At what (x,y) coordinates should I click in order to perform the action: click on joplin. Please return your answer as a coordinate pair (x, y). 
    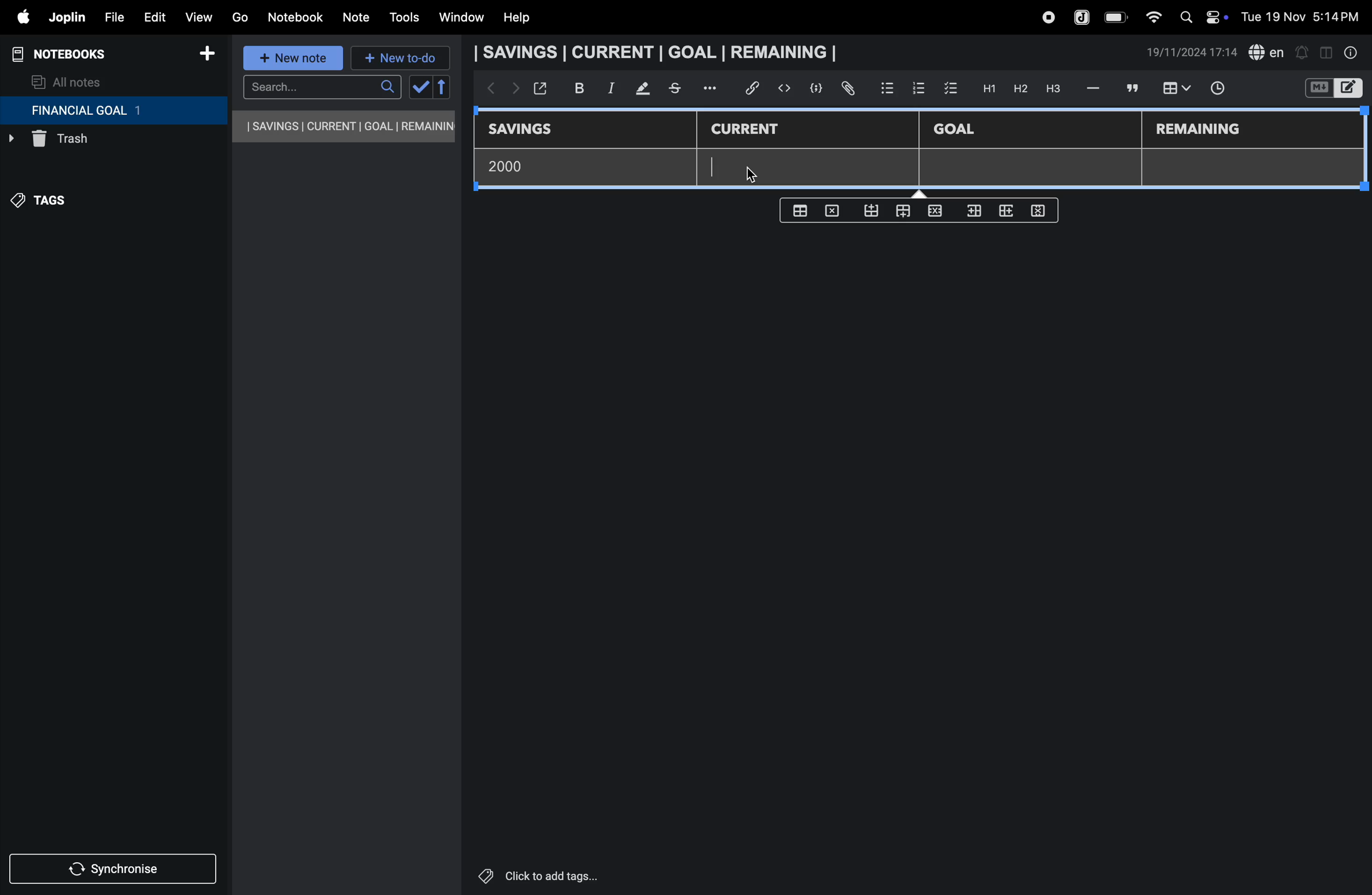
    Looking at the image, I should click on (1083, 16).